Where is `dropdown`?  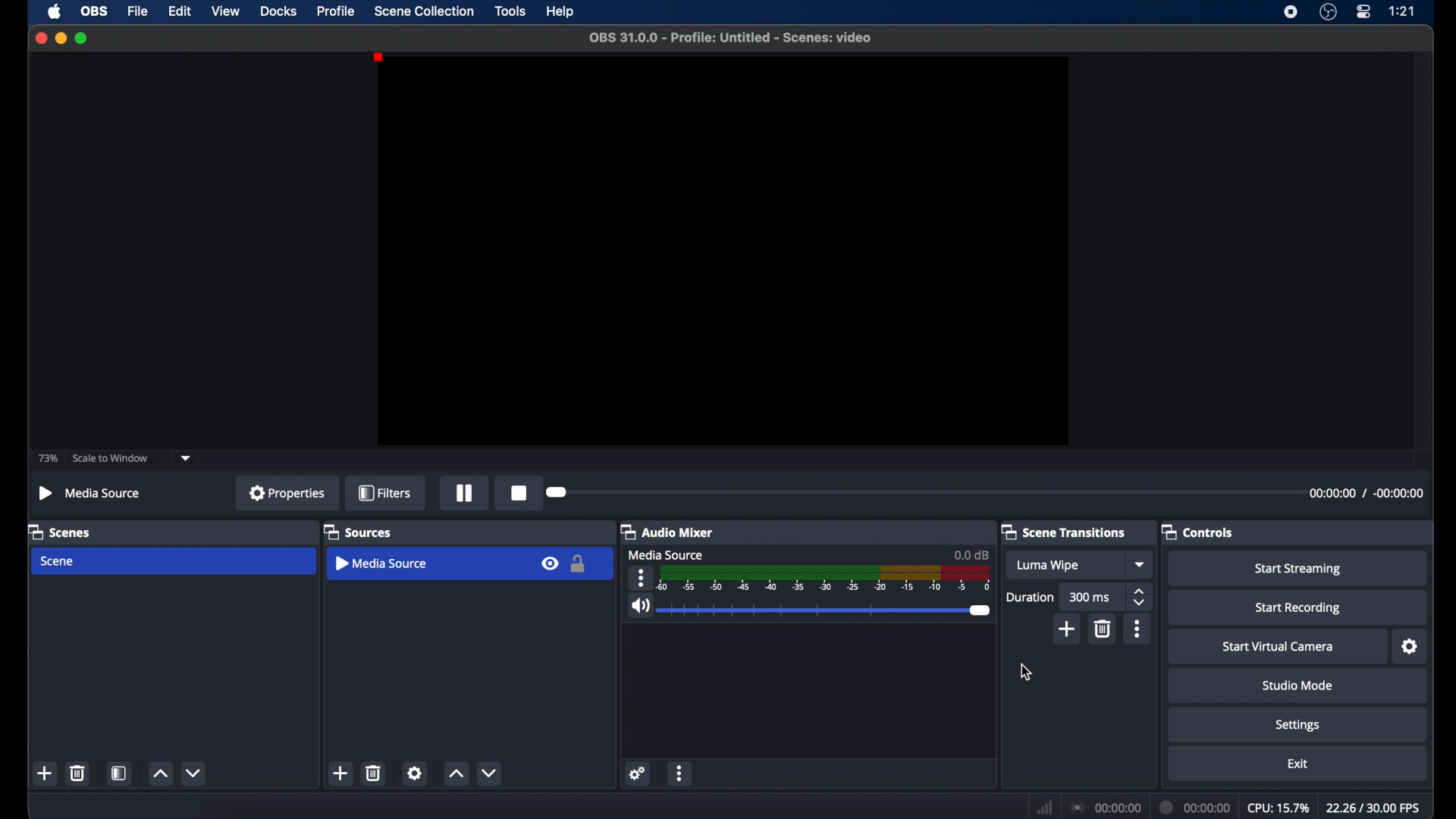 dropdown is located at coordinates (187, 457).